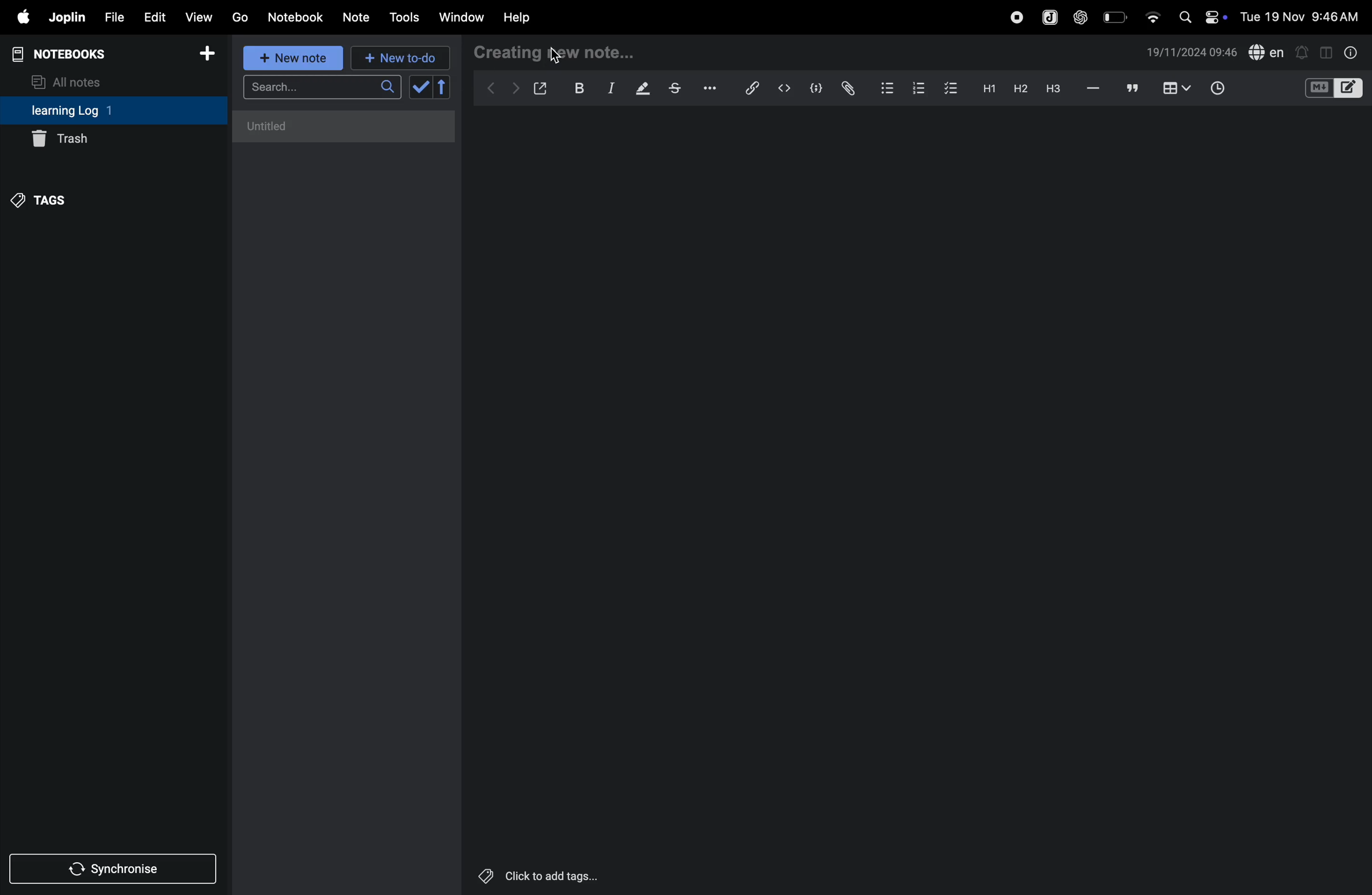  Describe the element at coordinates (1094, 89) in the screenshot. I see `hifen` at that location.